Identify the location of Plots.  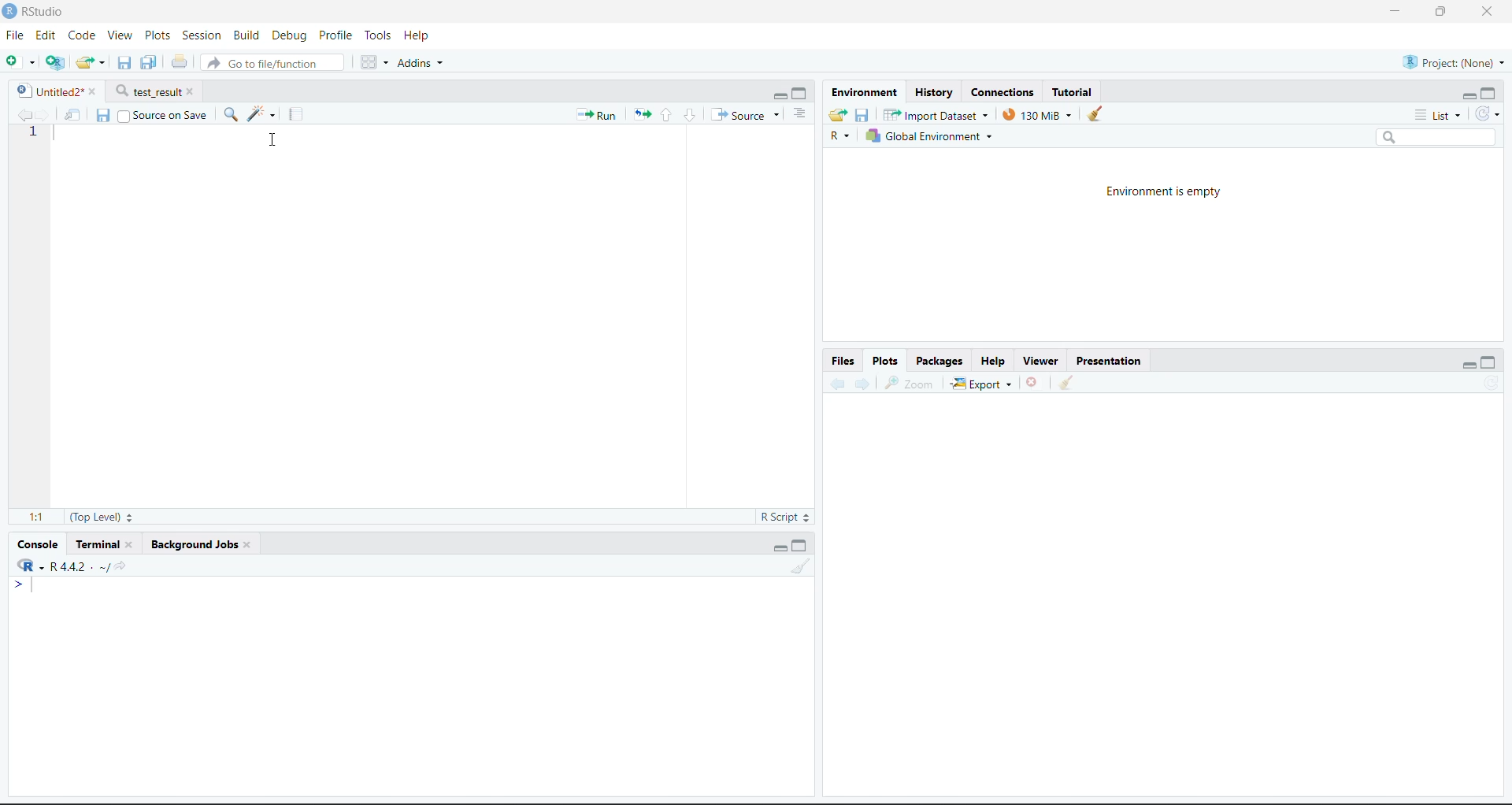
(886, 360).